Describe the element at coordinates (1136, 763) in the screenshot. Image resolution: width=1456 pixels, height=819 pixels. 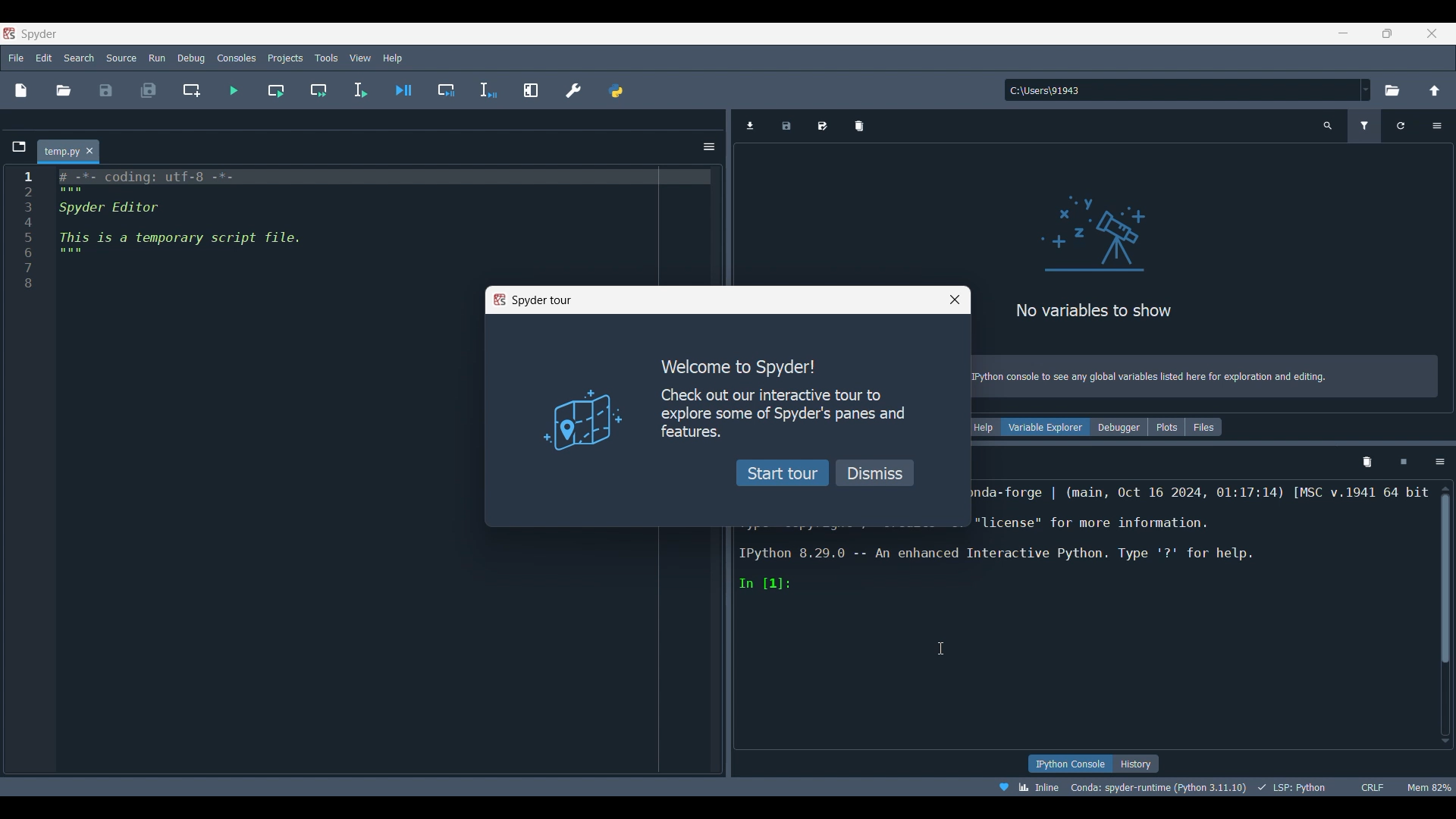
I see `History` at that location.